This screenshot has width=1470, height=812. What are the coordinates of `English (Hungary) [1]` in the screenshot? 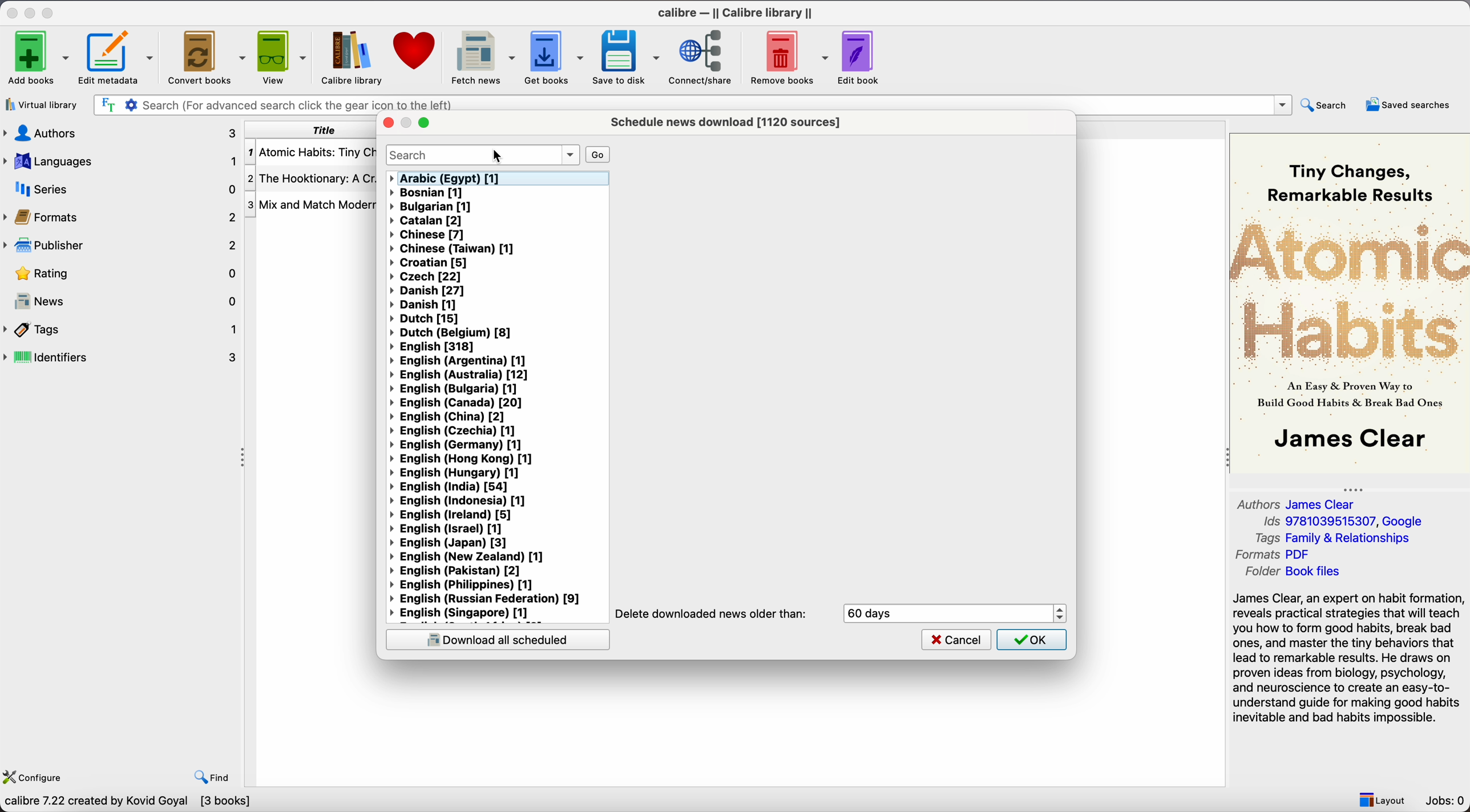 It's located at (457, 473).